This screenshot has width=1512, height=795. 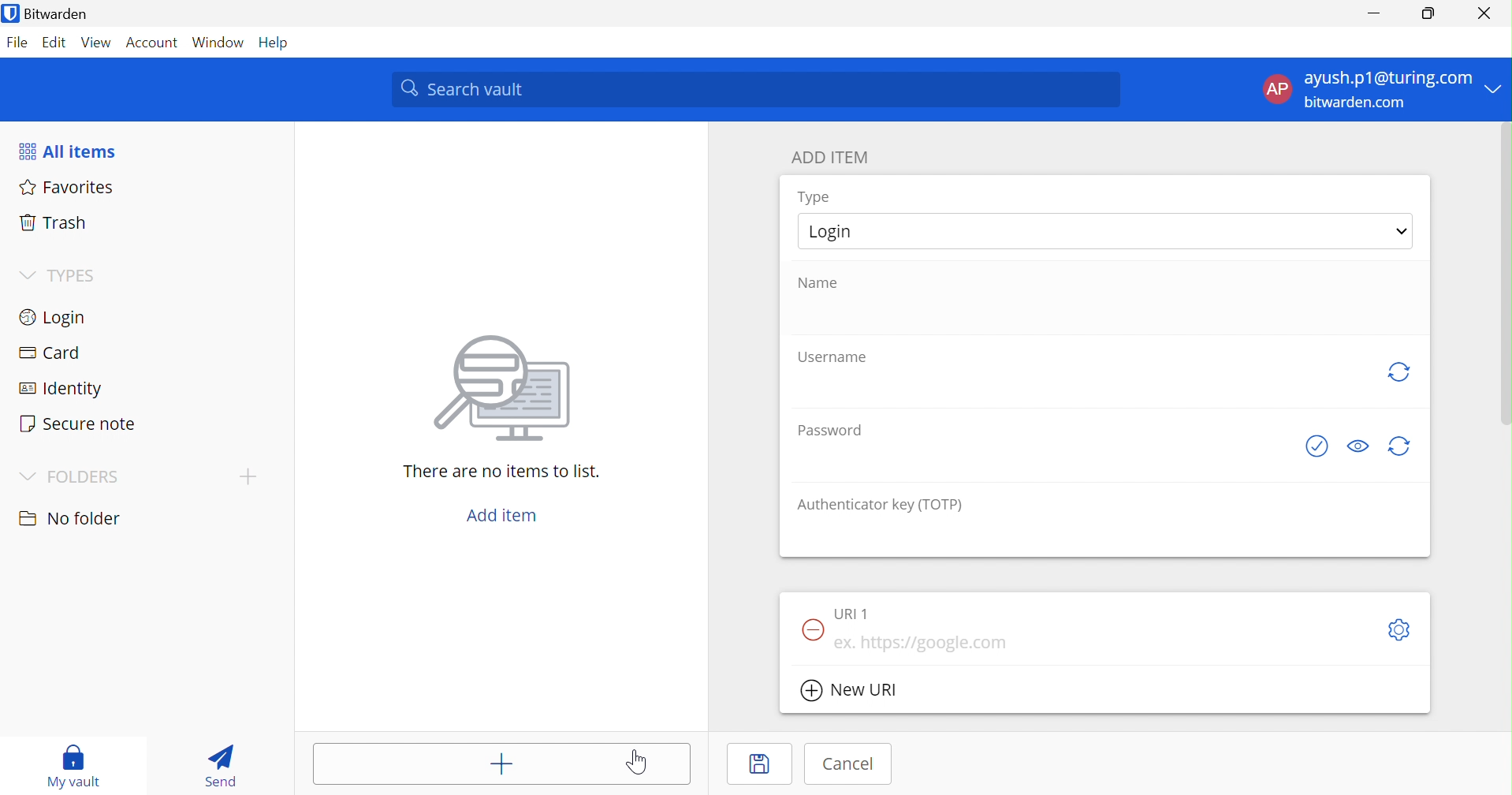 What do you see at coordinates (832, 233) in the screenshot?
I see `Login` at bounding box center [832, 233].